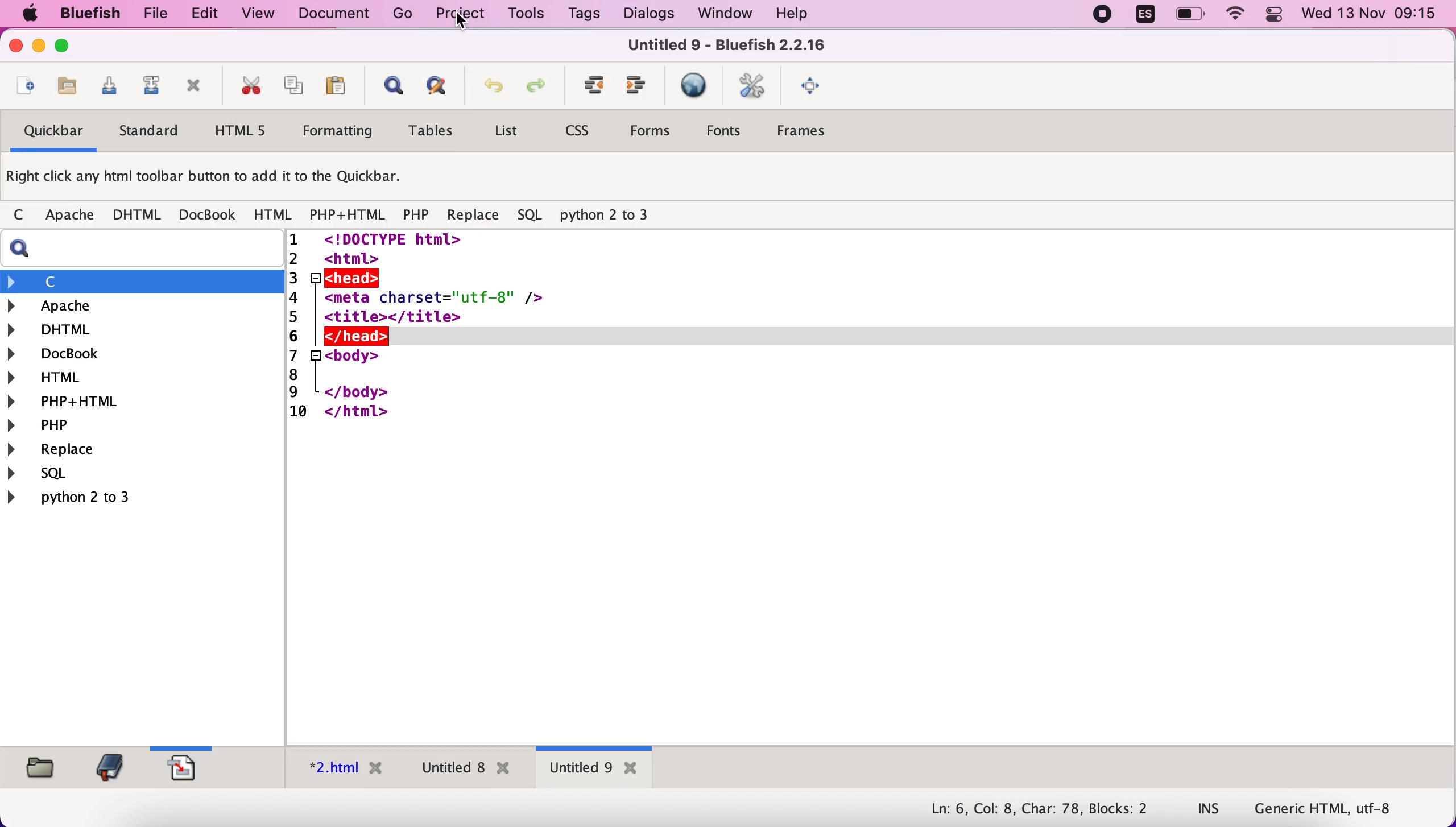 Image resolution: width=1456 pixels, height=827 pixels. Describe the element at coordinates (27, 15) in the screenshot. I see `mac logo` at that location.